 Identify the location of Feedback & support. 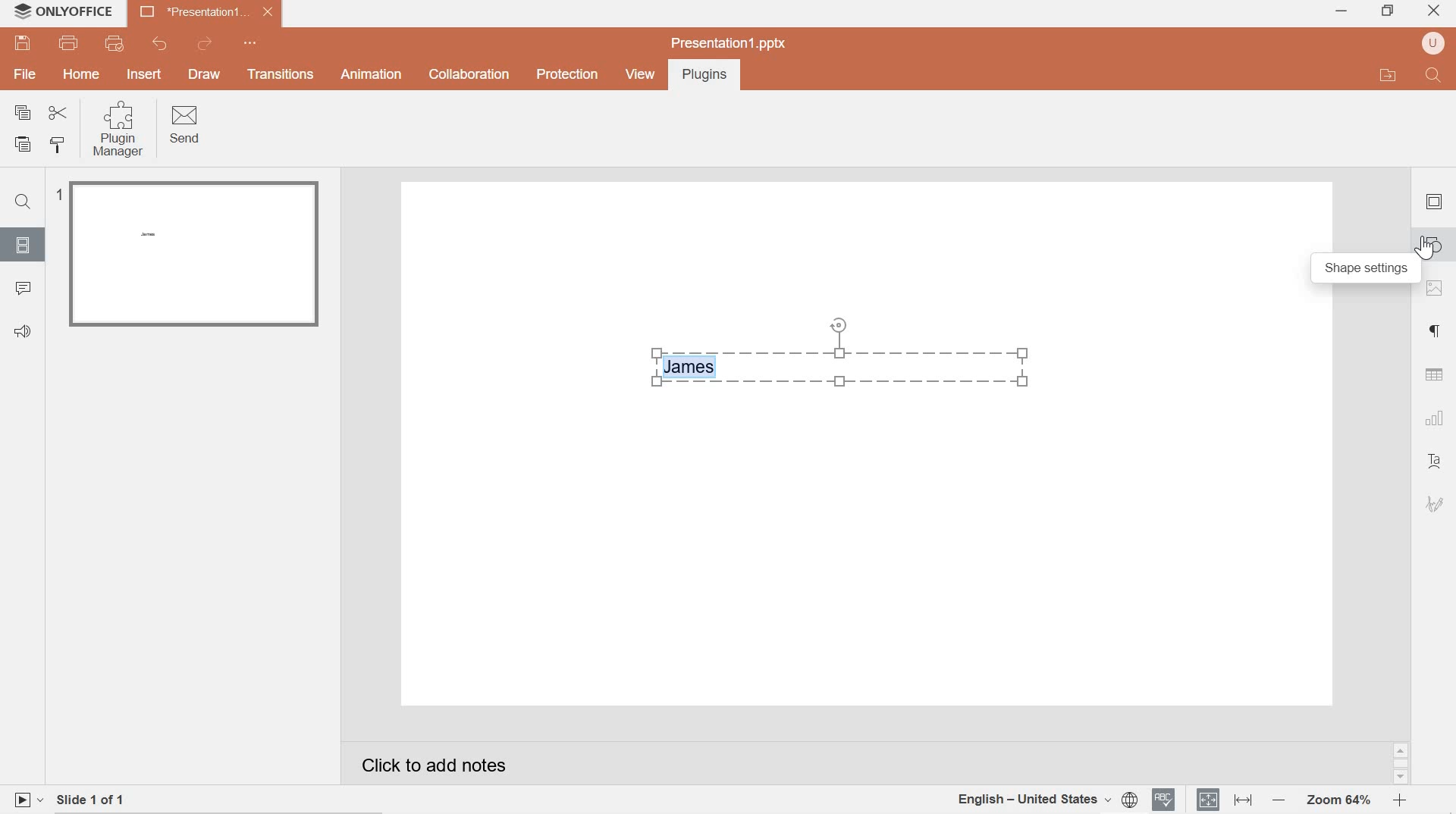
(23, 331).